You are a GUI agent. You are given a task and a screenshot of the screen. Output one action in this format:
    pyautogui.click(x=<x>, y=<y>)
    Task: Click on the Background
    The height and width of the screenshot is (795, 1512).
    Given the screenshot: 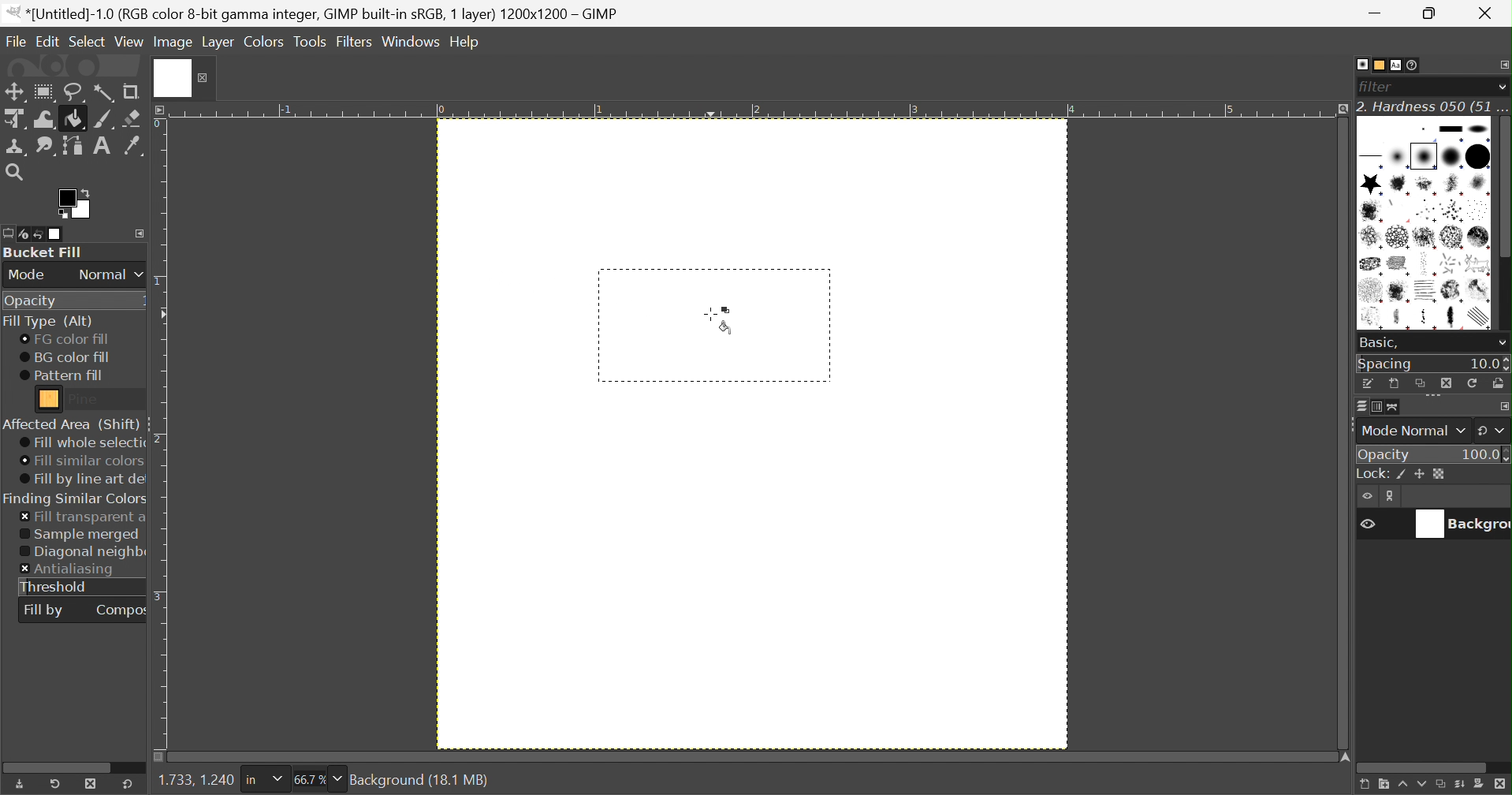 What is the action you would take?
    pyautogui.click(x=1458, y=524)
    